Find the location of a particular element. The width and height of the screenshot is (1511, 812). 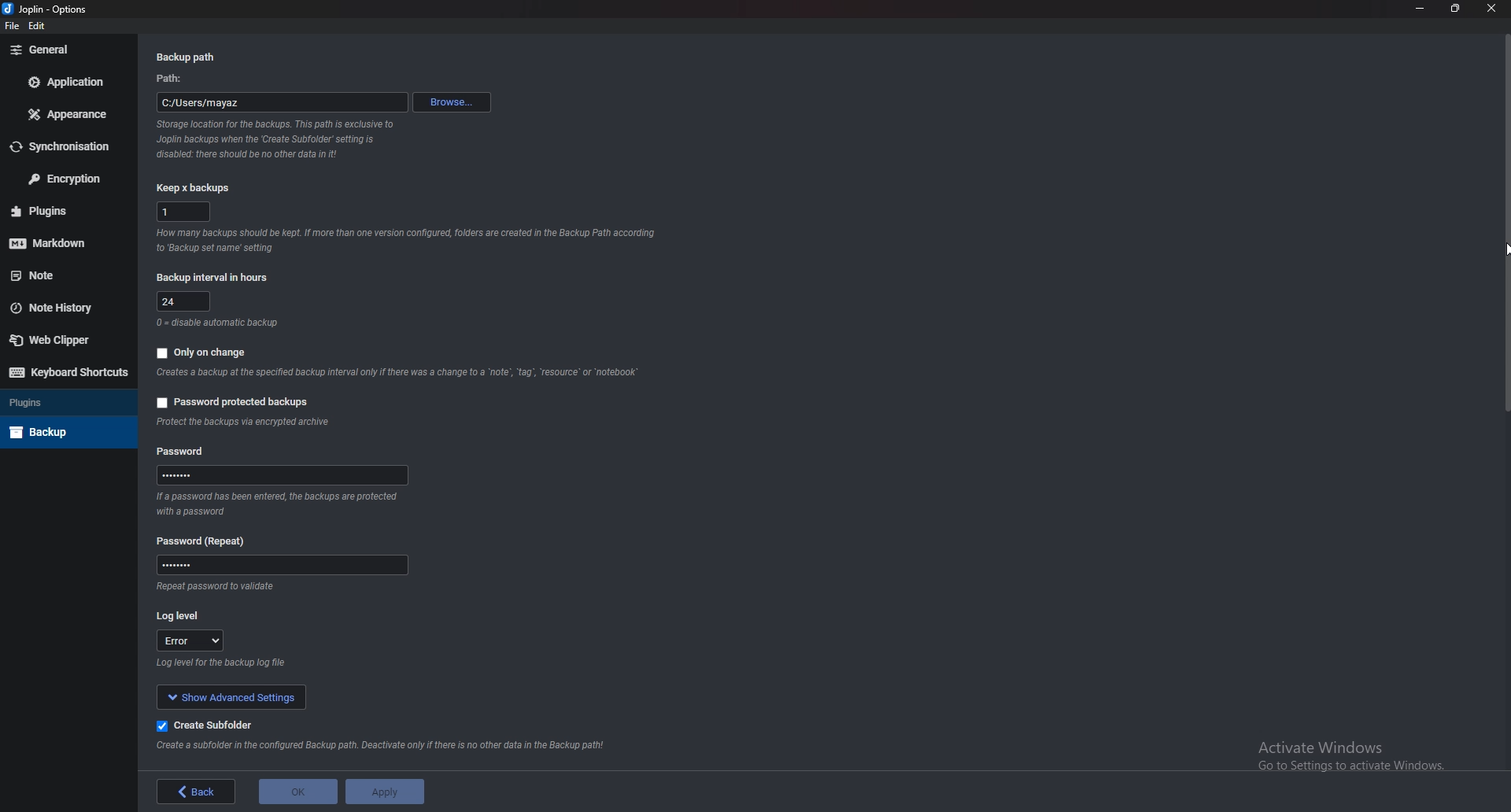

Info is located at coordinates (225, 663).